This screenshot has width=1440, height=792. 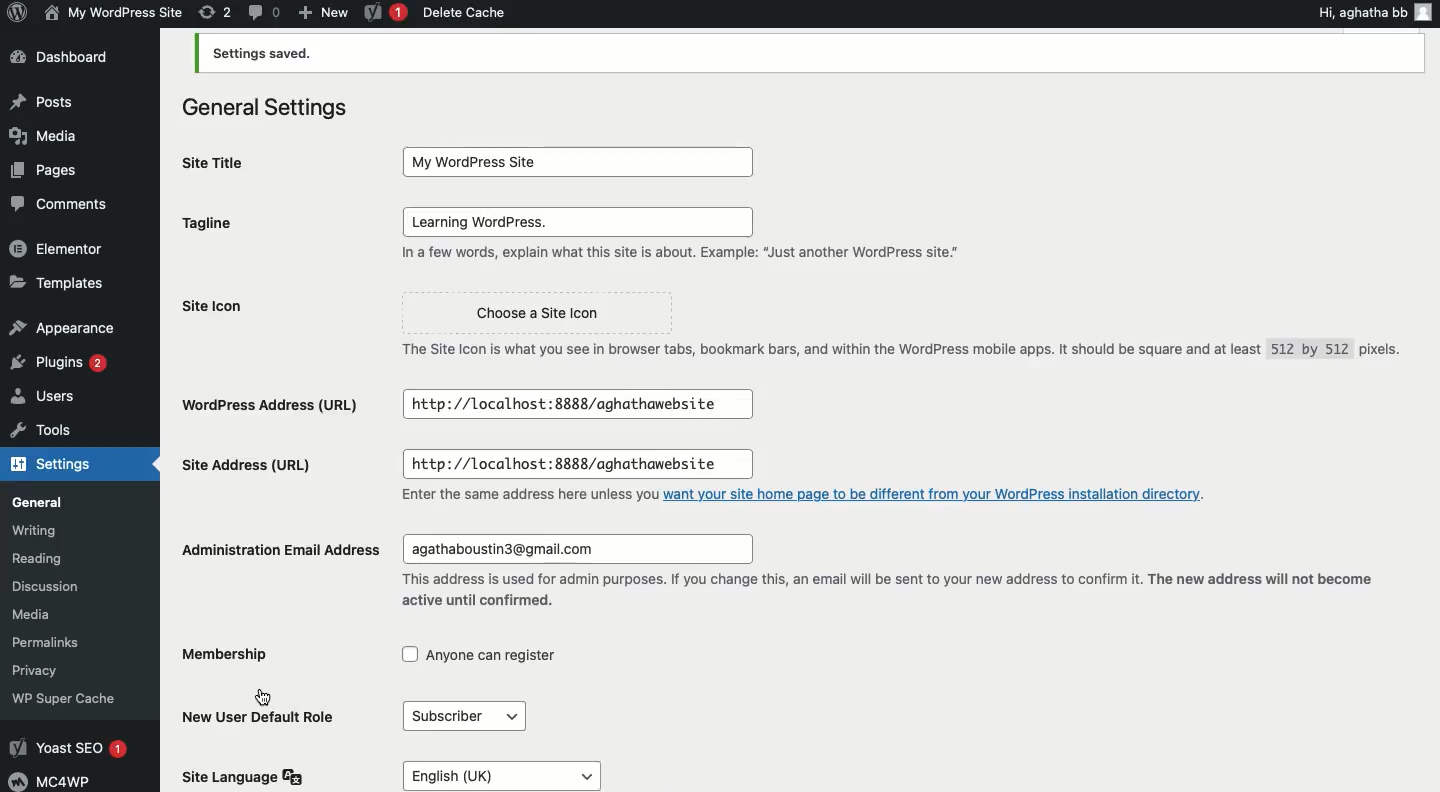 What do you see at coordinates (809, 54) in the screenshot?
I see `Settings saved` at bounding box center [809, 54].